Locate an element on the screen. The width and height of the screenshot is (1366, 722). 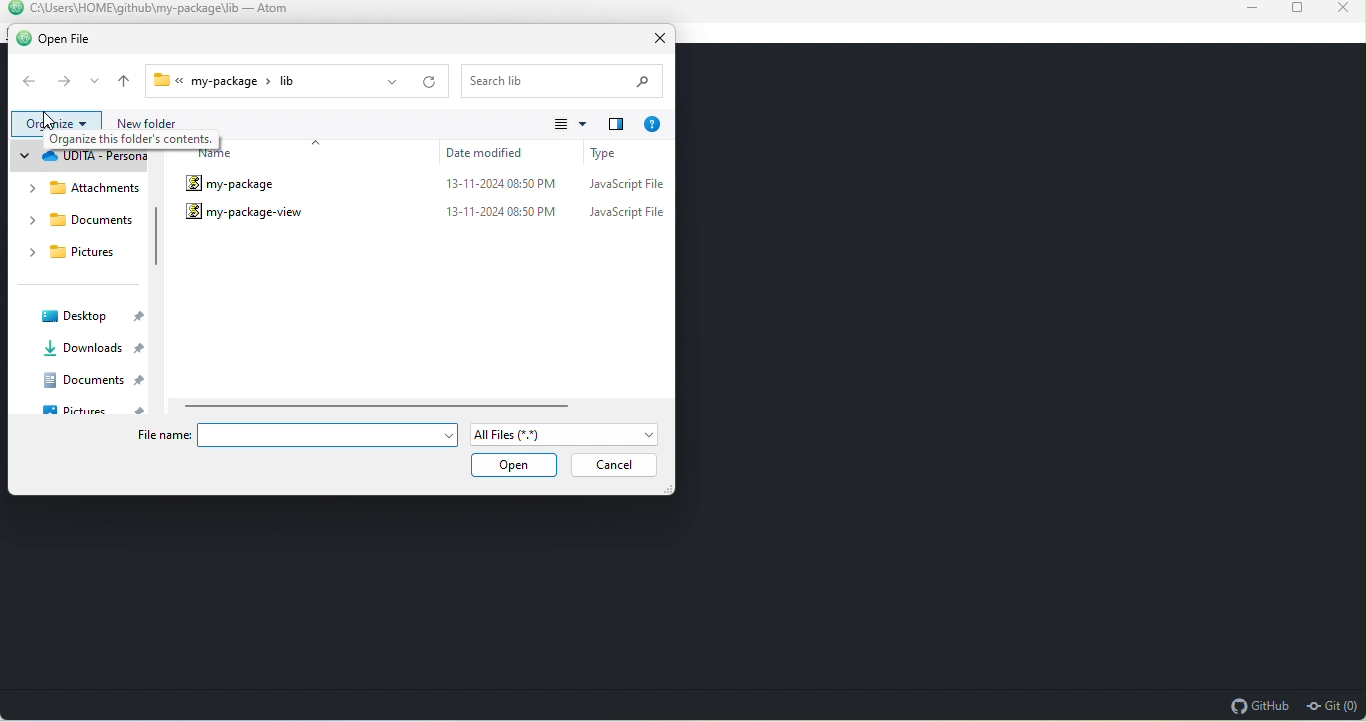
vertical scroll bar is located at coordinates (157, 241).